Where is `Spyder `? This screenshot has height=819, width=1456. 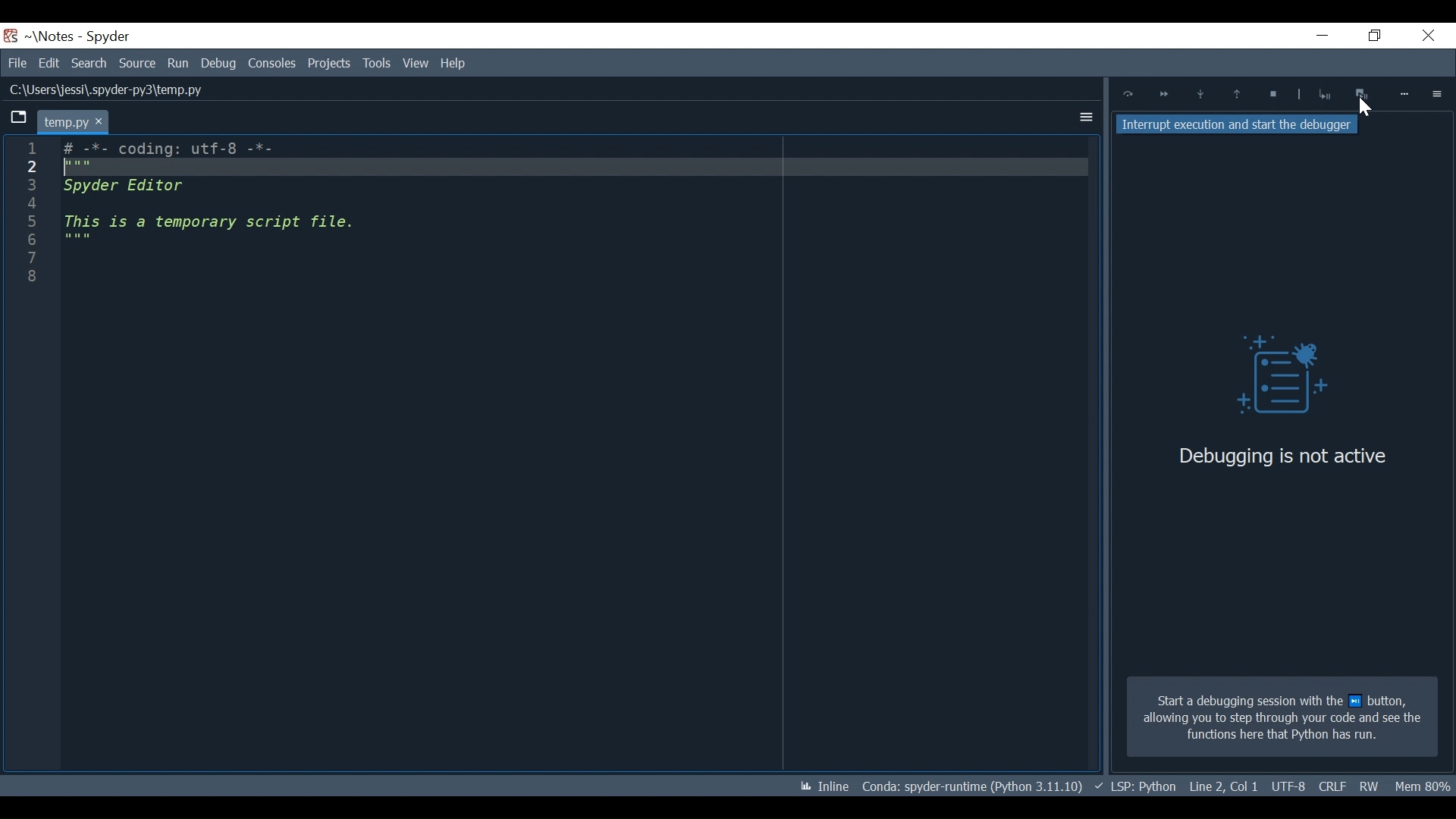
Spyder  is located at coordinates (109, 37).